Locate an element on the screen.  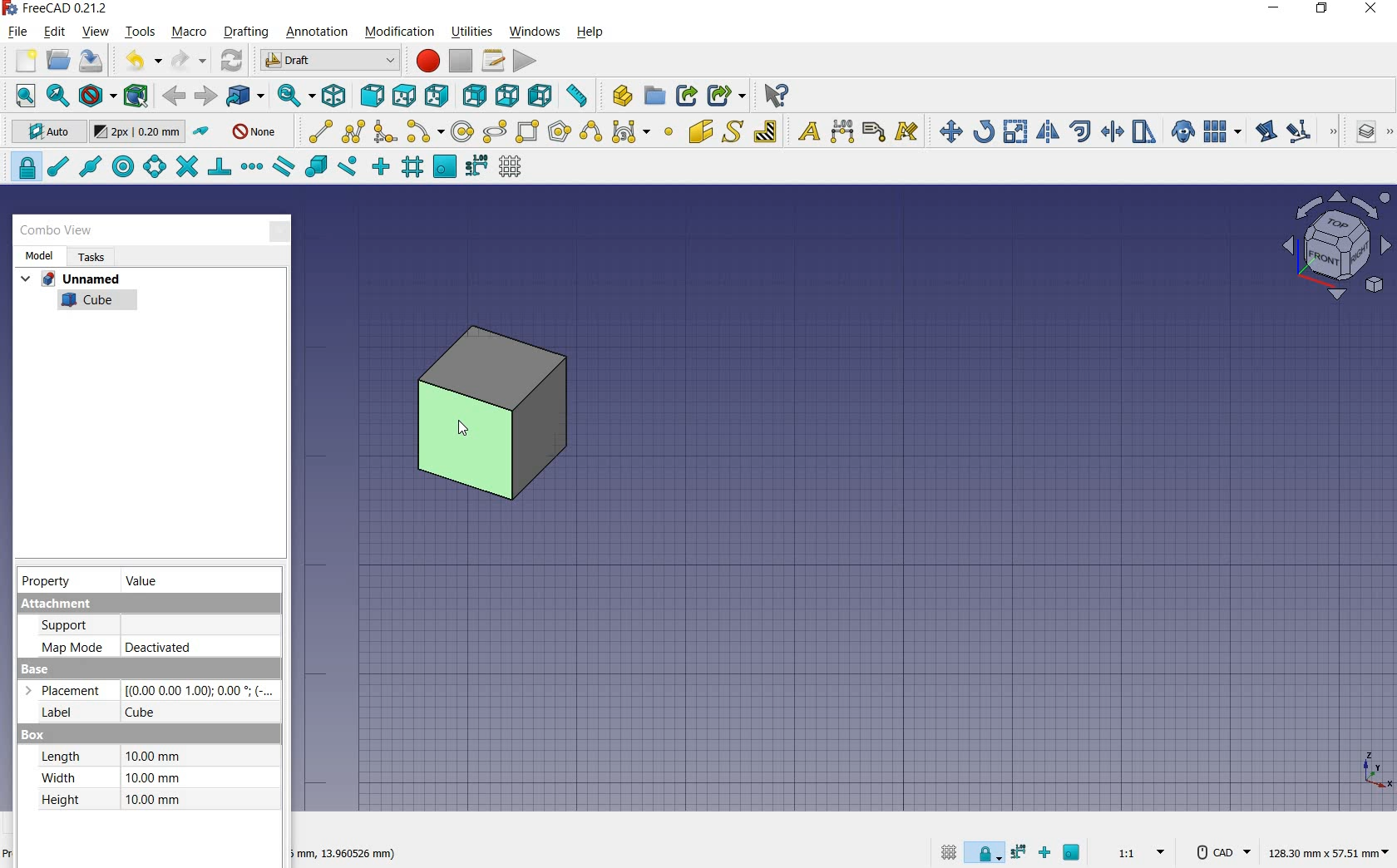
fit selection is located at coordinates (57, 95).